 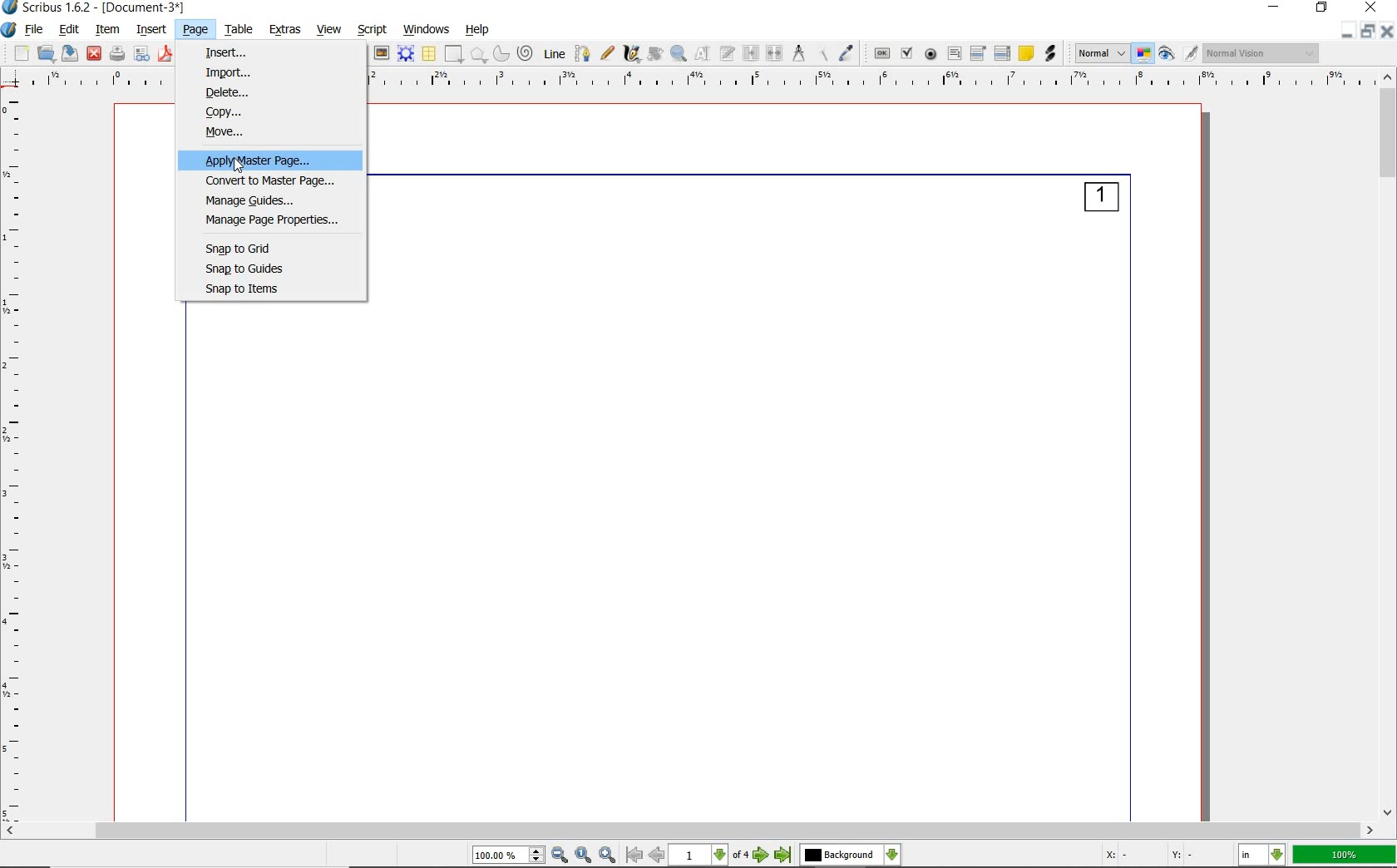 What do you see at coordinates (381, 55) in the screenshot?
I see `image frame` at bounding box center [381, 55].